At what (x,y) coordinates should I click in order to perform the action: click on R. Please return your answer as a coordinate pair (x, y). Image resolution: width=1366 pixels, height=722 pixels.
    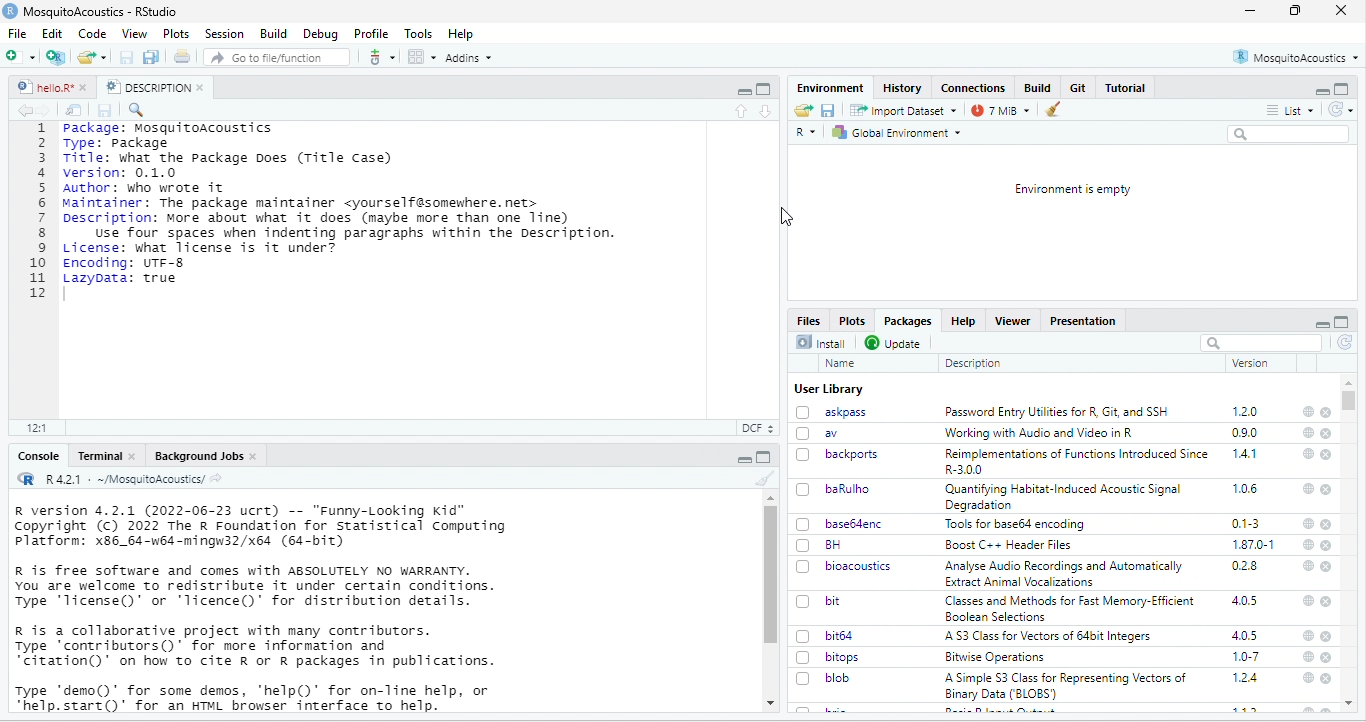
    Looking at the image, I should click on (806, 134).